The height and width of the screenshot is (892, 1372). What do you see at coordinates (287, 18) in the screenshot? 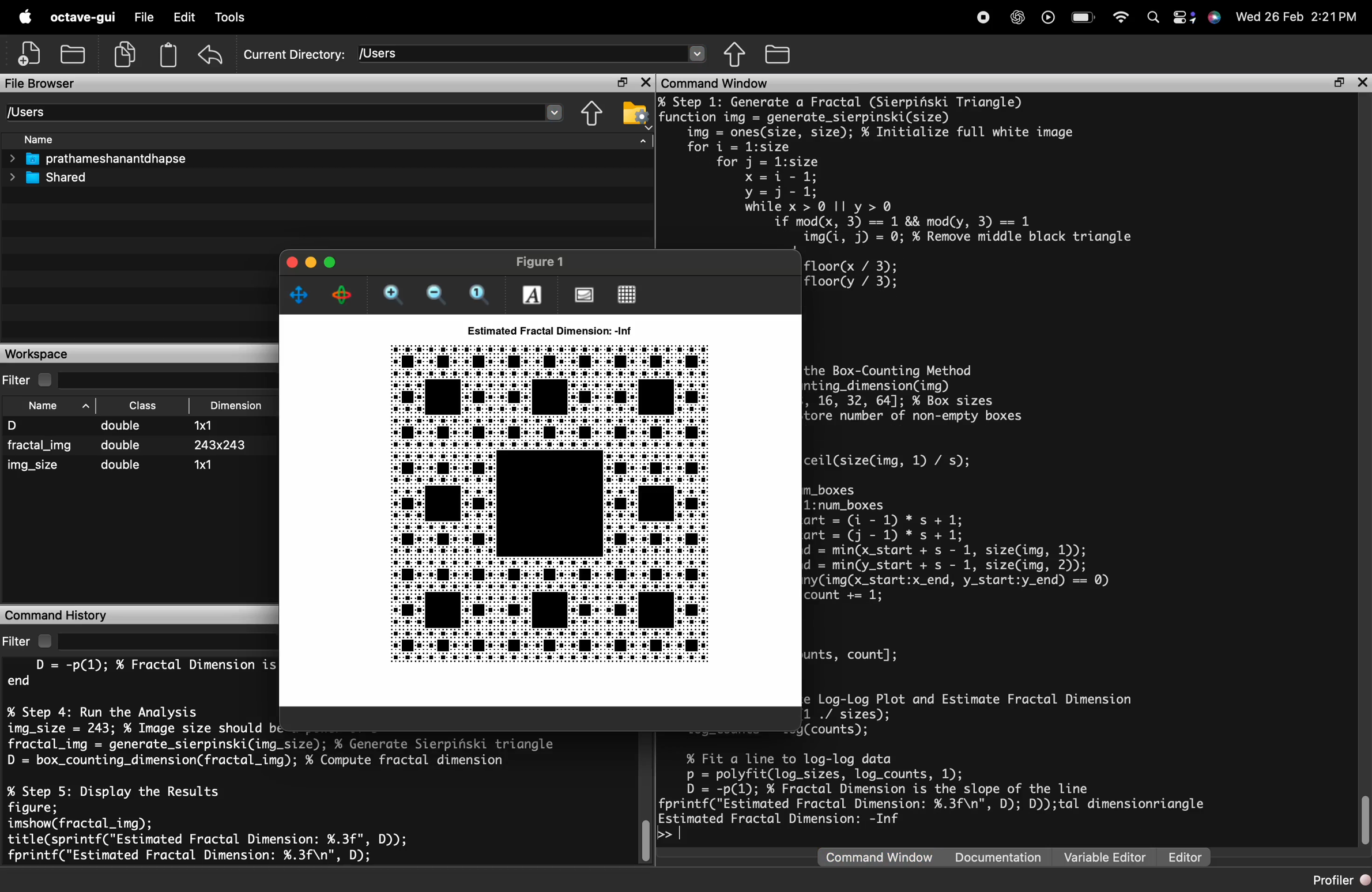
I see `Tools` at bounding box center [287, 18].